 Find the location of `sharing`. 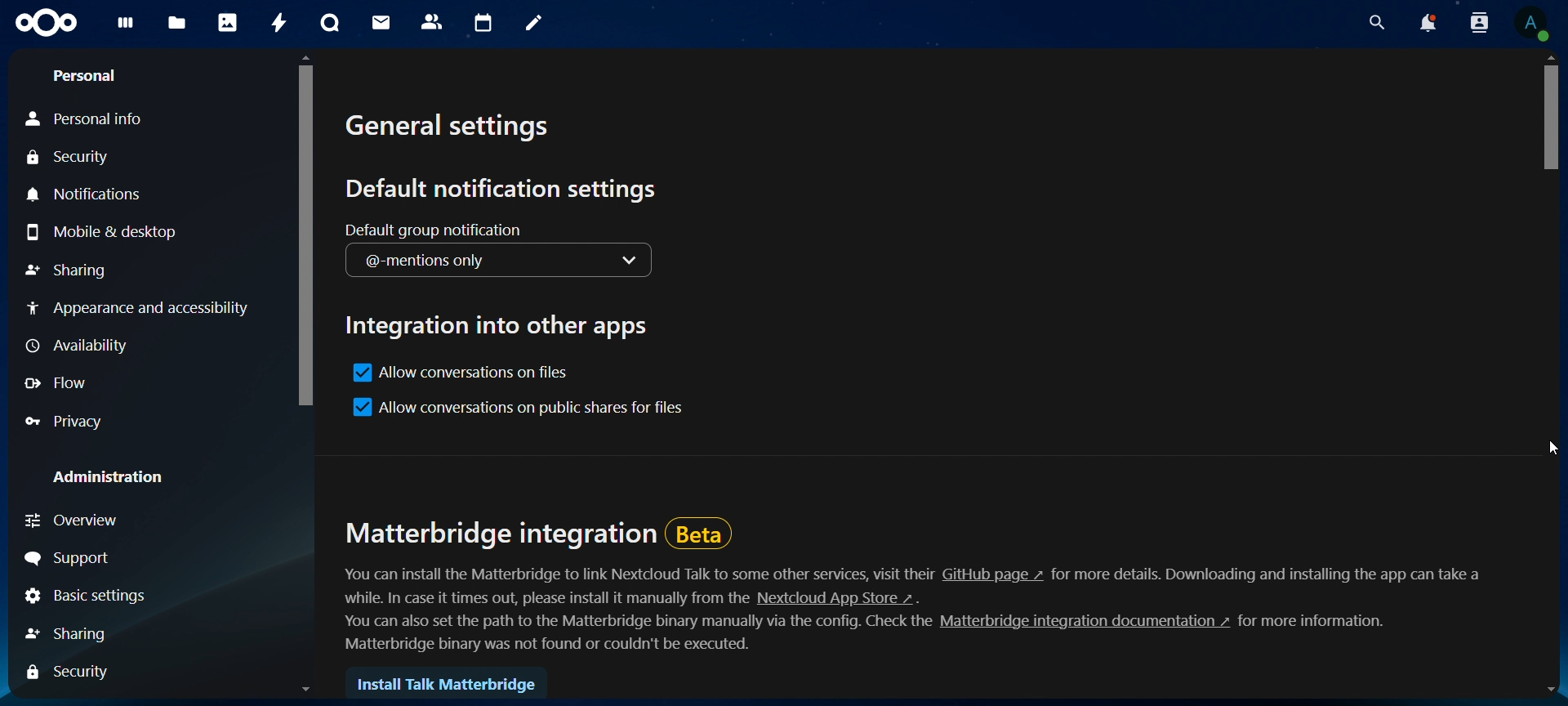

sharing is located at coordinates (64, 671).